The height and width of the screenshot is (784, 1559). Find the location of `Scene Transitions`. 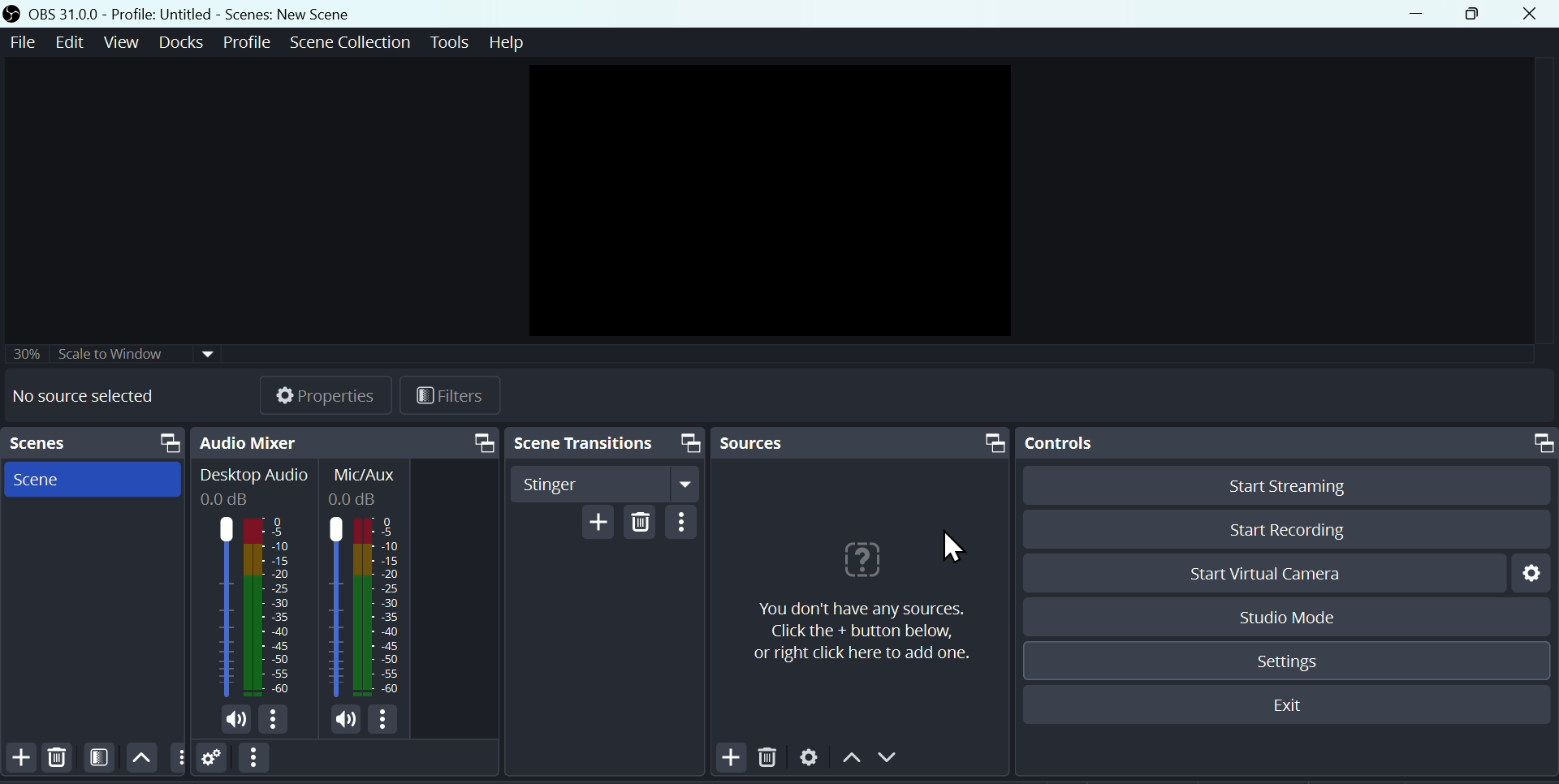

Scene Transitions is located at coordinates (580, 442).